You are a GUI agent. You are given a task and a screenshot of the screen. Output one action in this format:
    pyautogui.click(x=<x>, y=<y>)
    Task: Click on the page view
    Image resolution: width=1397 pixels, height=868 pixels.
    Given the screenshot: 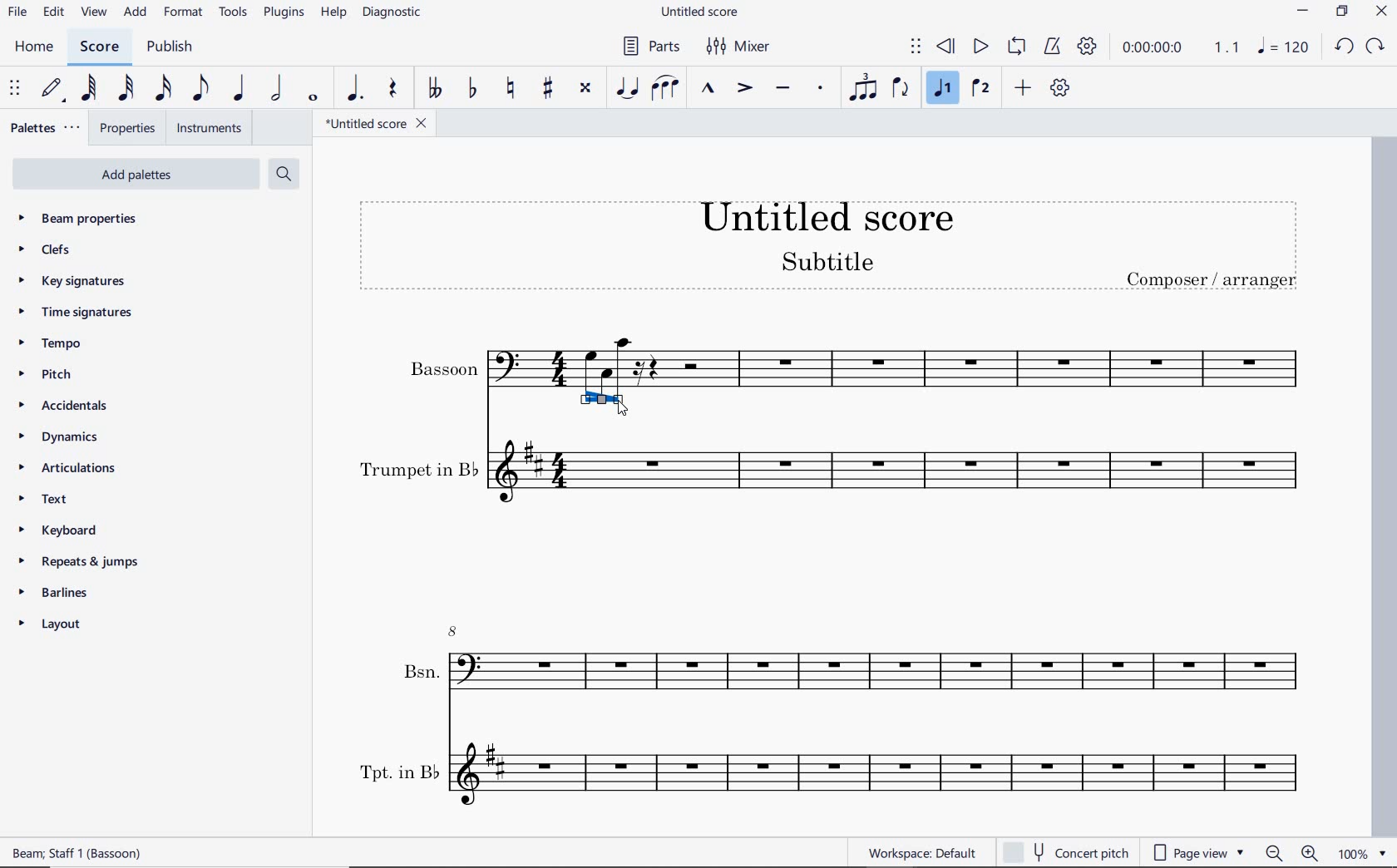 What is the action you would take?
    pyautogui.click(x=1197, y=851)
    